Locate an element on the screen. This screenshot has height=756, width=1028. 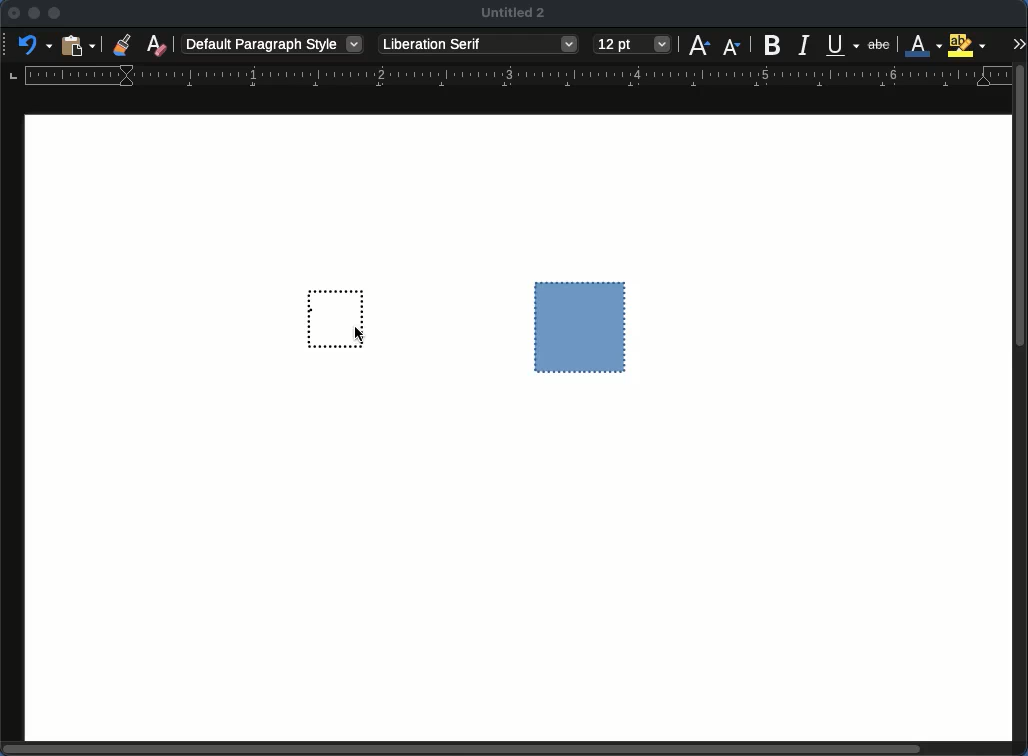
clone formatting is located at coordinates (121, 43).